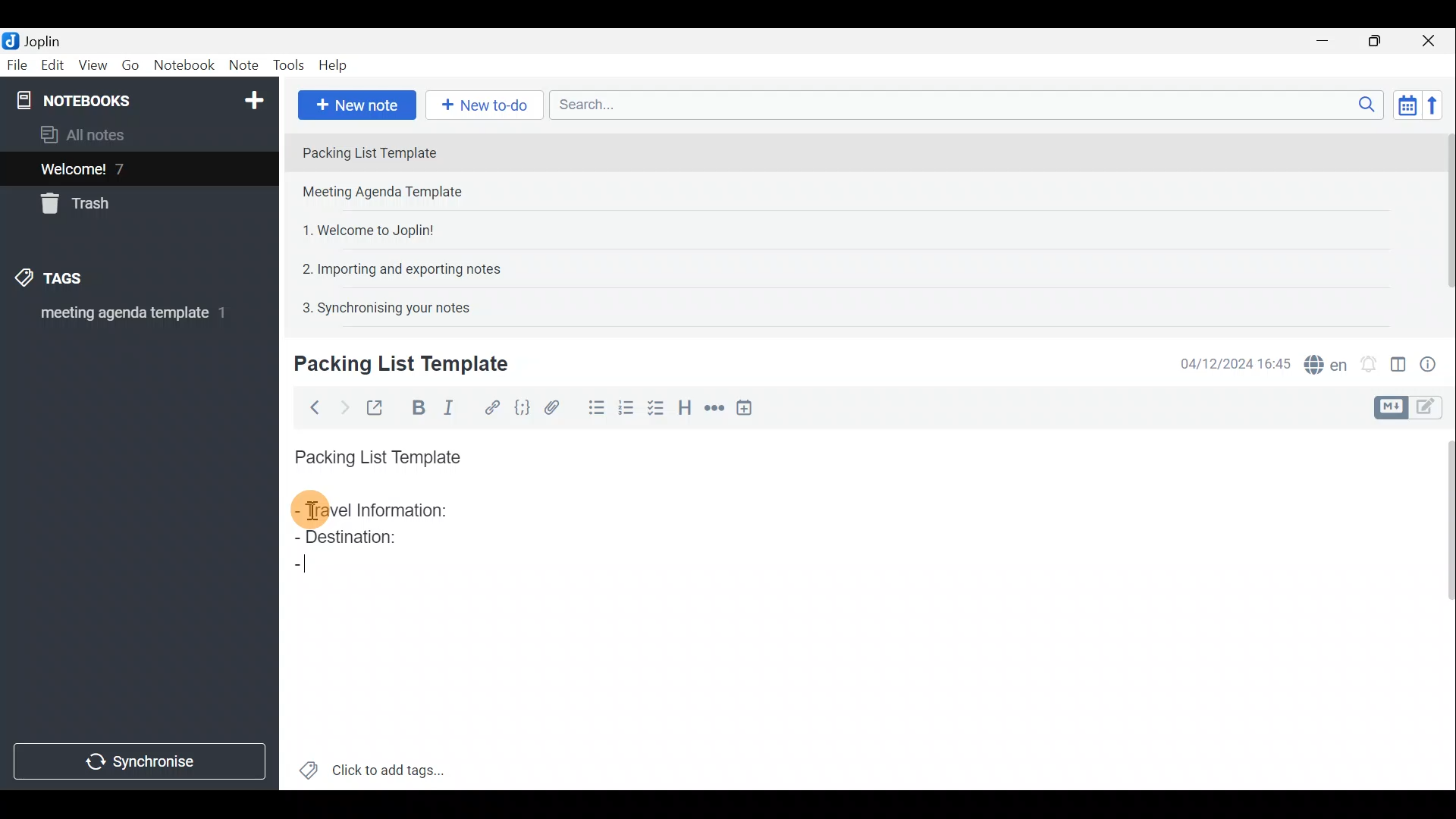 The height and width of the screenshot is (819, 1456). Describe the element at coordinates (74, 281) in the screenshot. I see `Tags` at that location.